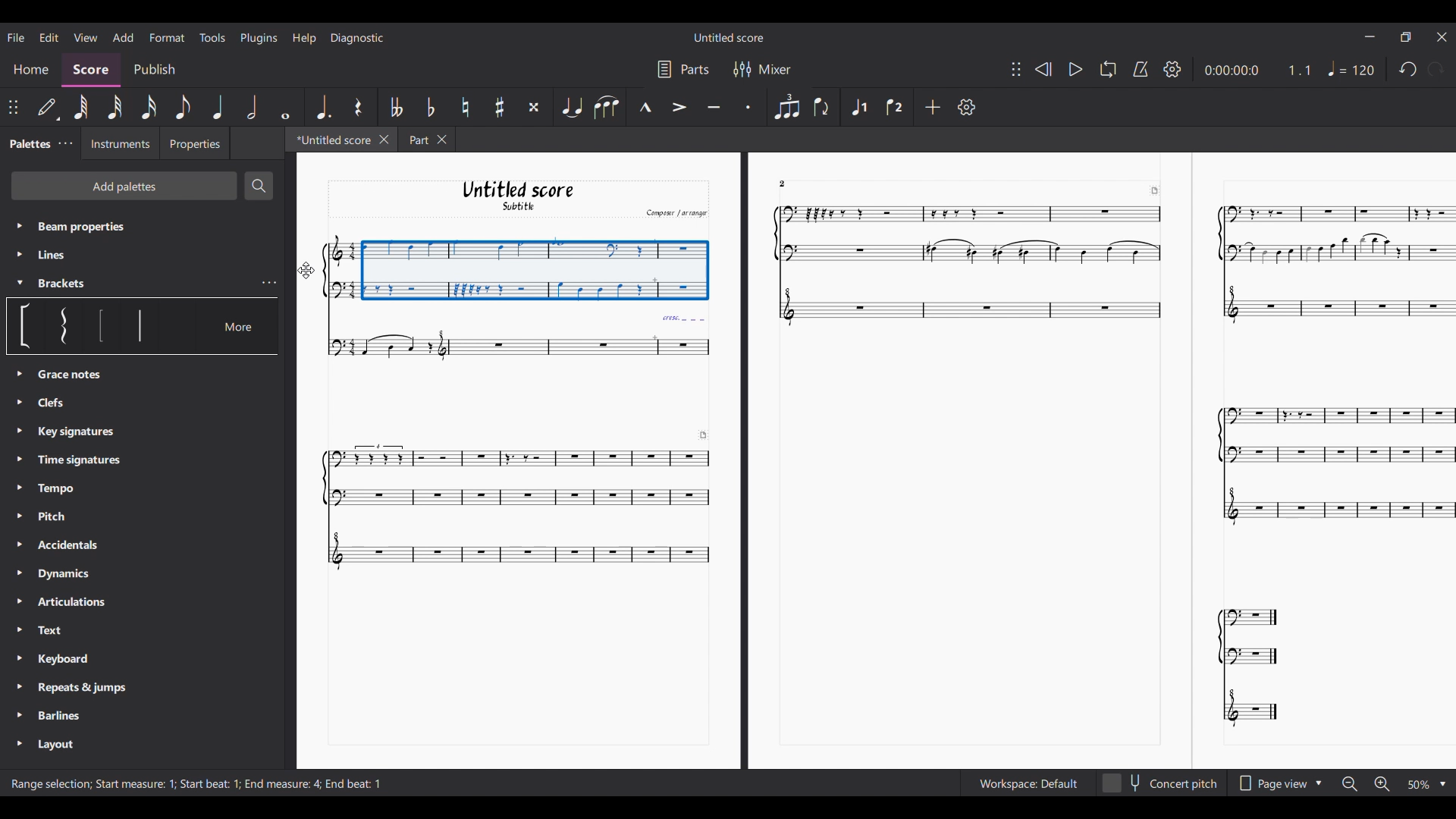  What do you see at coordinates (153, 69) in the screenshot?
I see `Publish` at bounding box center [153, 69].